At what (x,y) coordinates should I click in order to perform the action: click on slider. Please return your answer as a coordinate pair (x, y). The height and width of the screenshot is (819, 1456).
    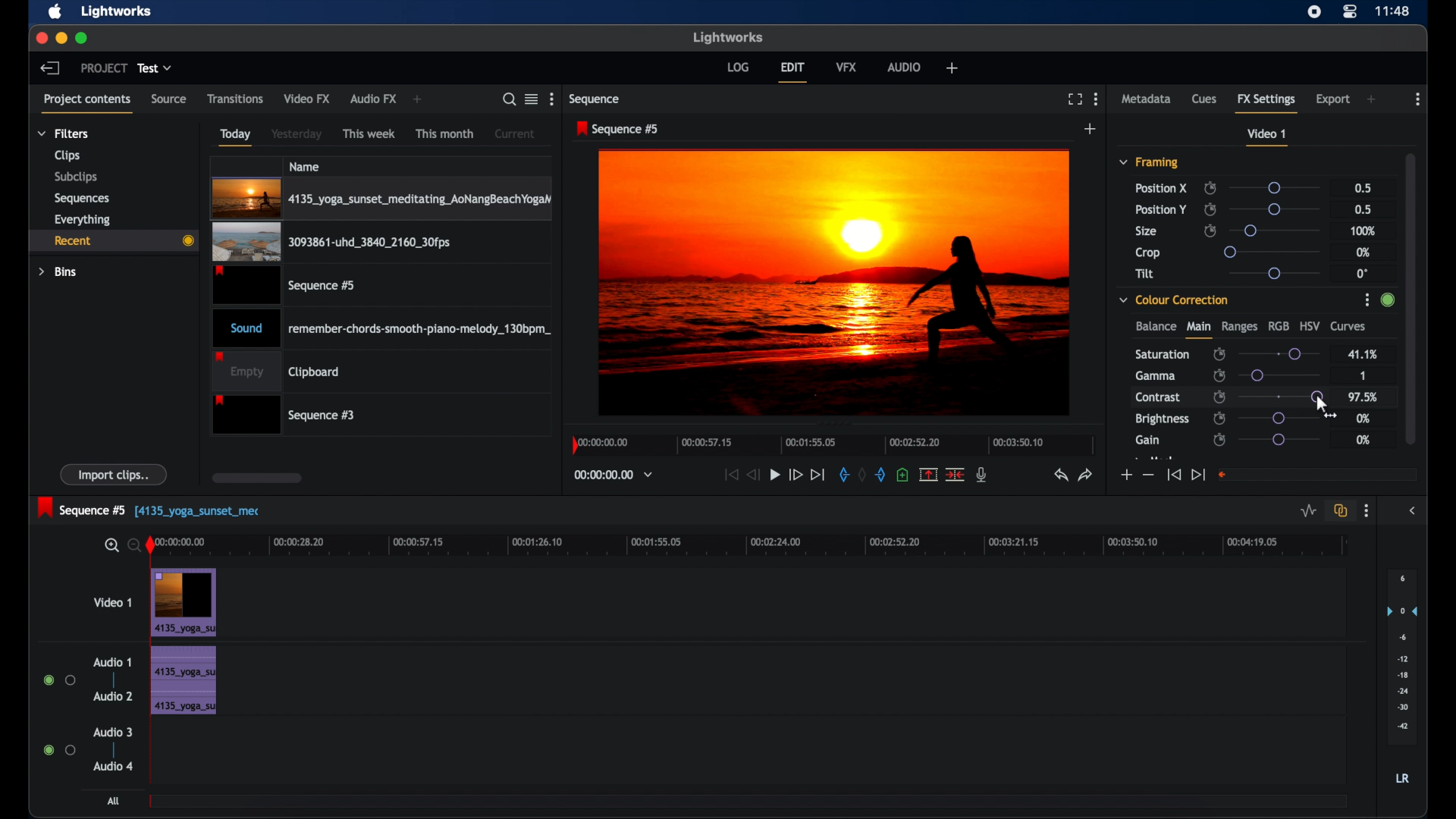
    Looking at the image, I should click on (1279, 353).